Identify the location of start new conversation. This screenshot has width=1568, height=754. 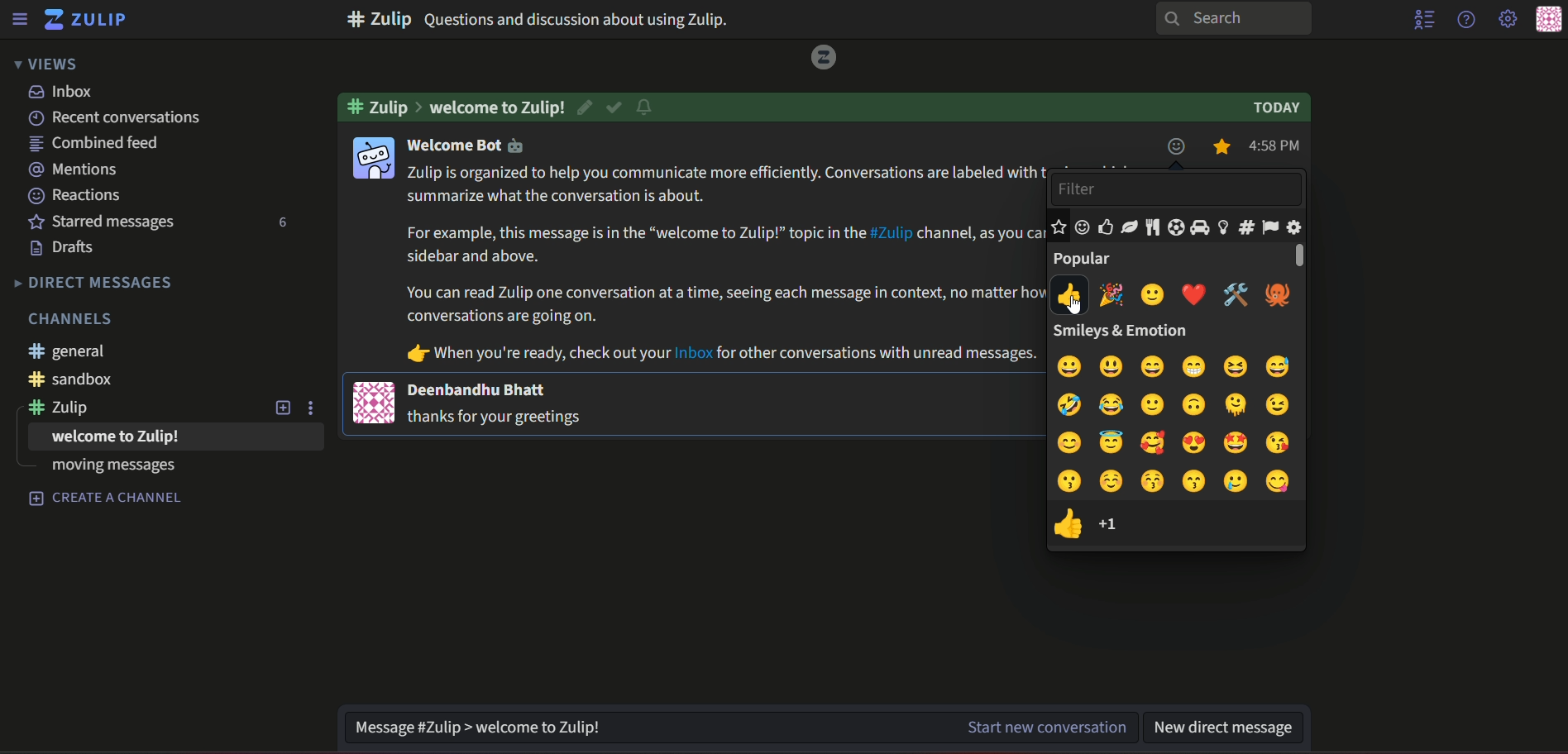
(1045, 728).